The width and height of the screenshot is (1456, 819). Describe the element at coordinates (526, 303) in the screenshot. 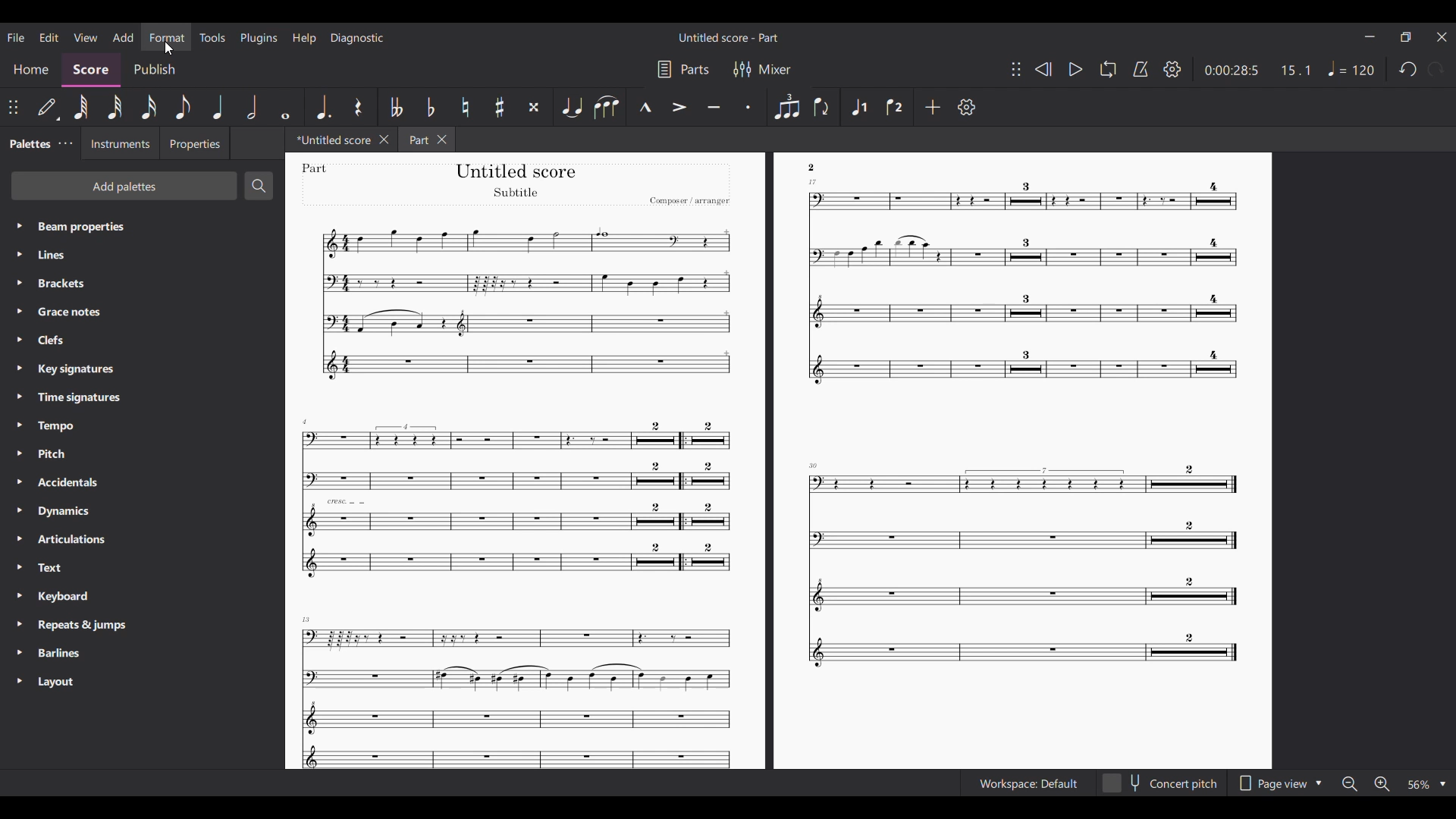

I see `` at that location.